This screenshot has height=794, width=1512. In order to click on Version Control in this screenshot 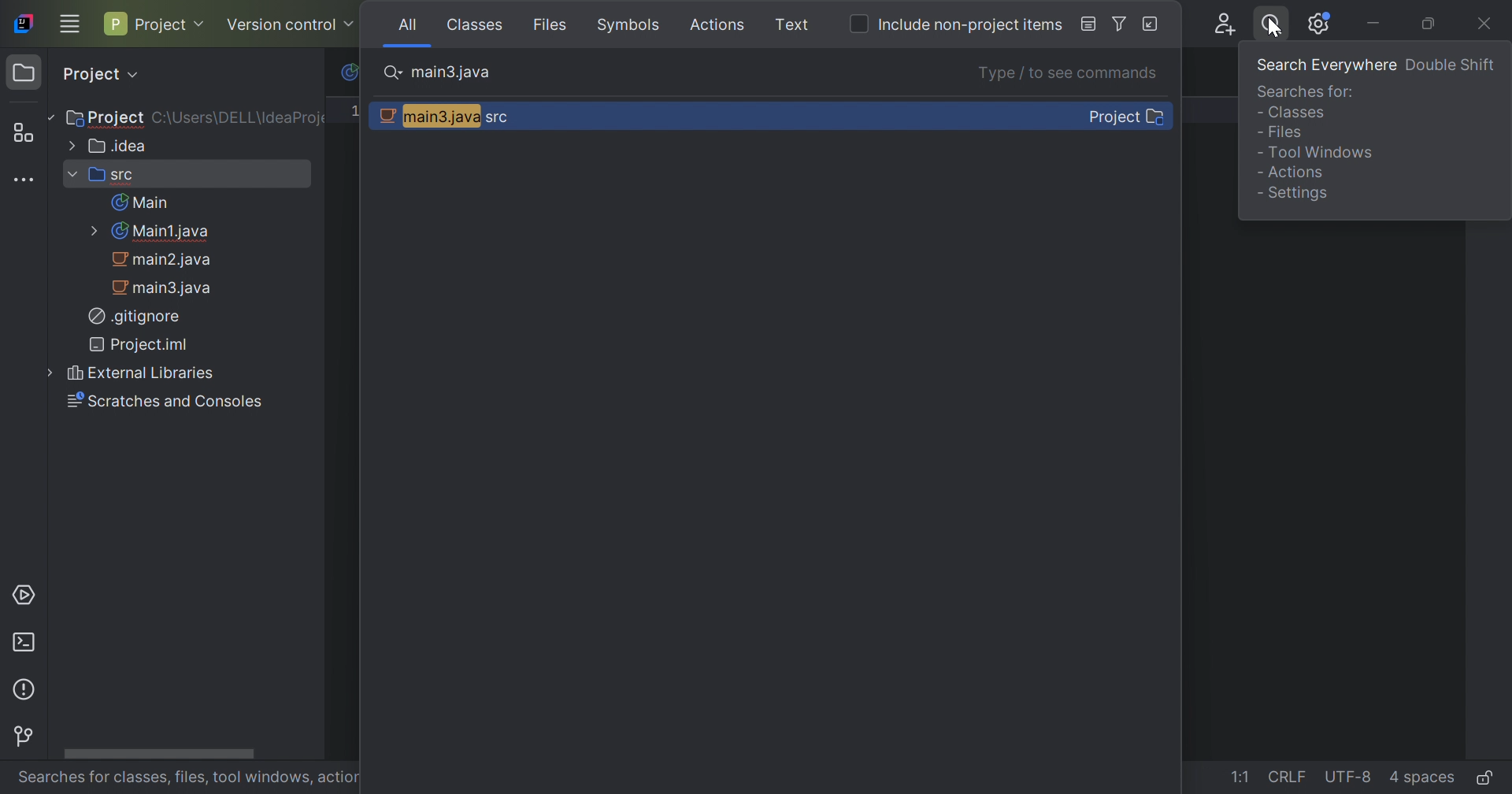, I will do `click(291, 22)`.